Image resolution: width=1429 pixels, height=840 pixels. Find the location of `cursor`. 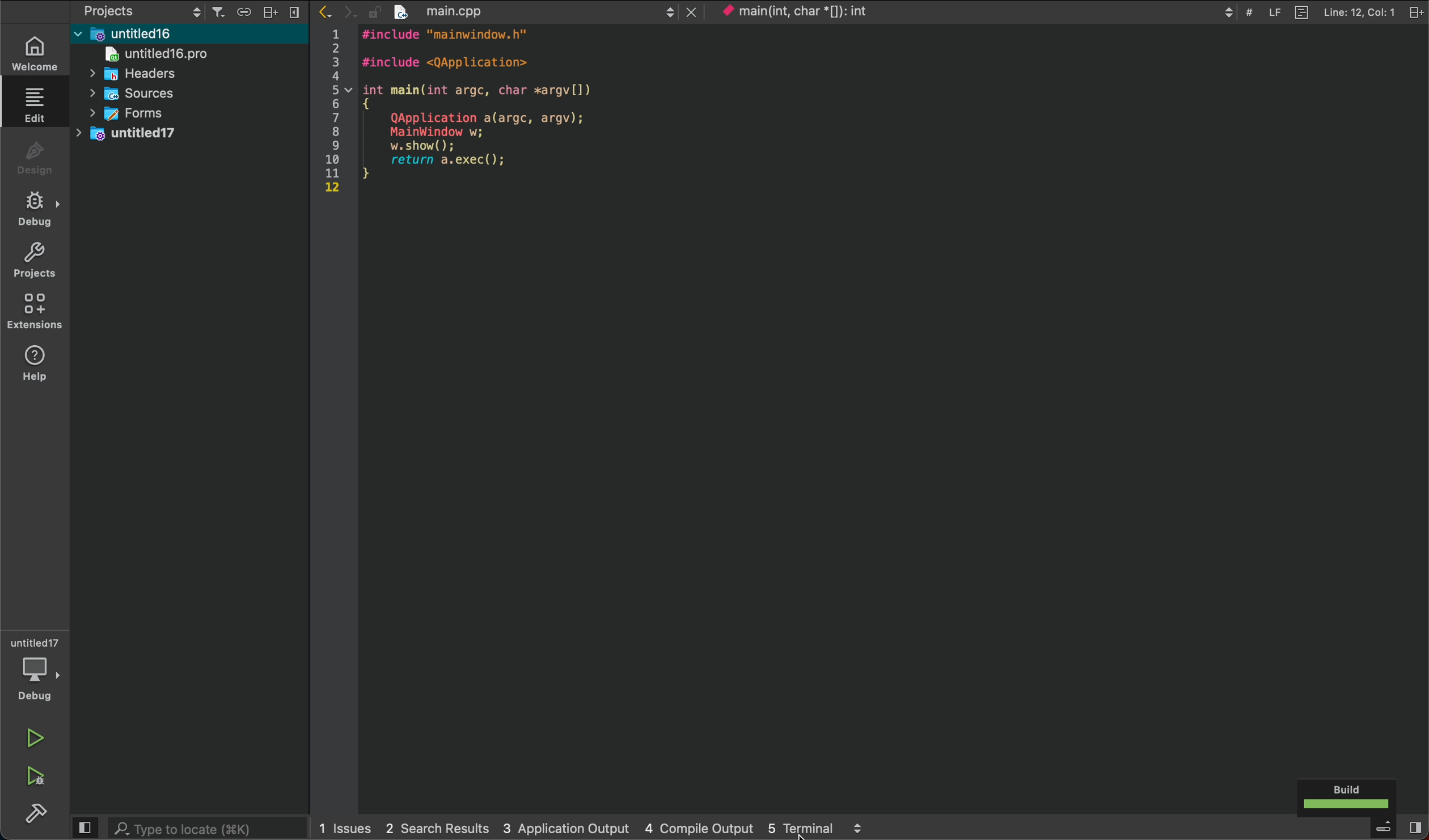

cursor is located at coordinates (800, 833).